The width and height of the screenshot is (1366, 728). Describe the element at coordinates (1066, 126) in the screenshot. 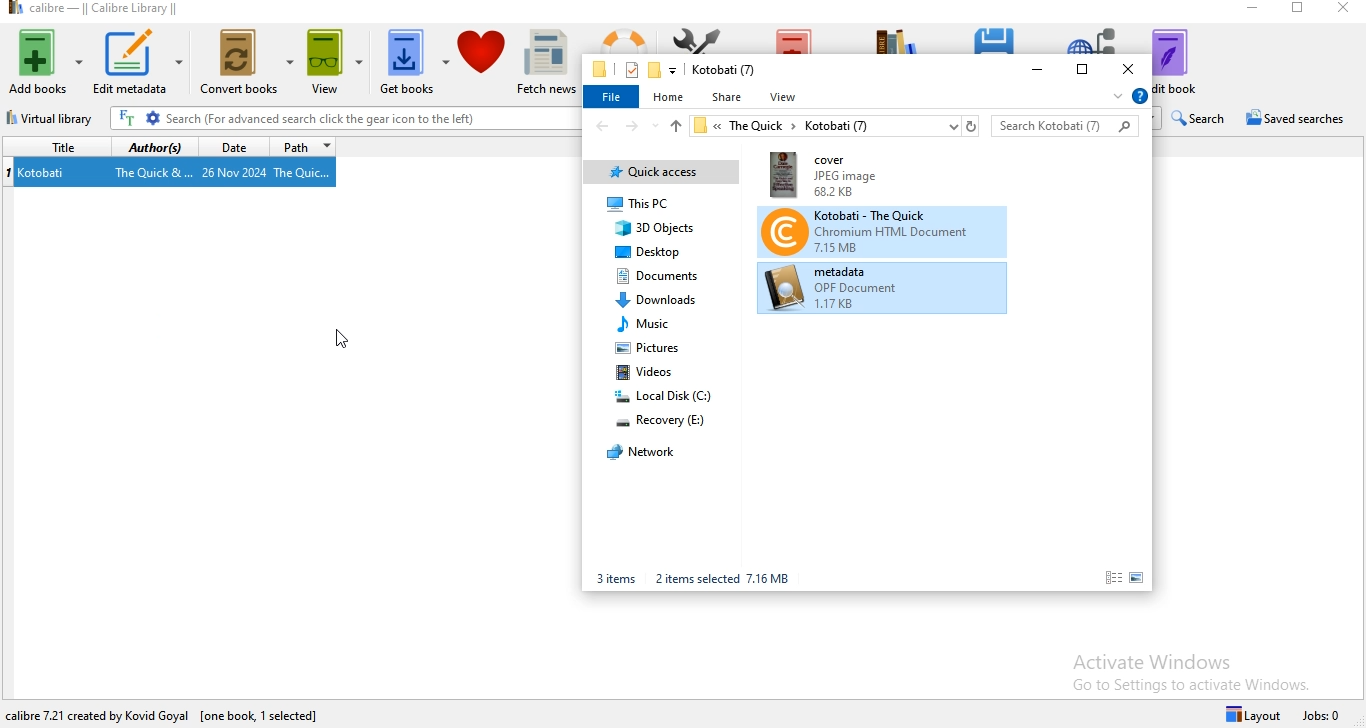

I see `search bar` at that location.